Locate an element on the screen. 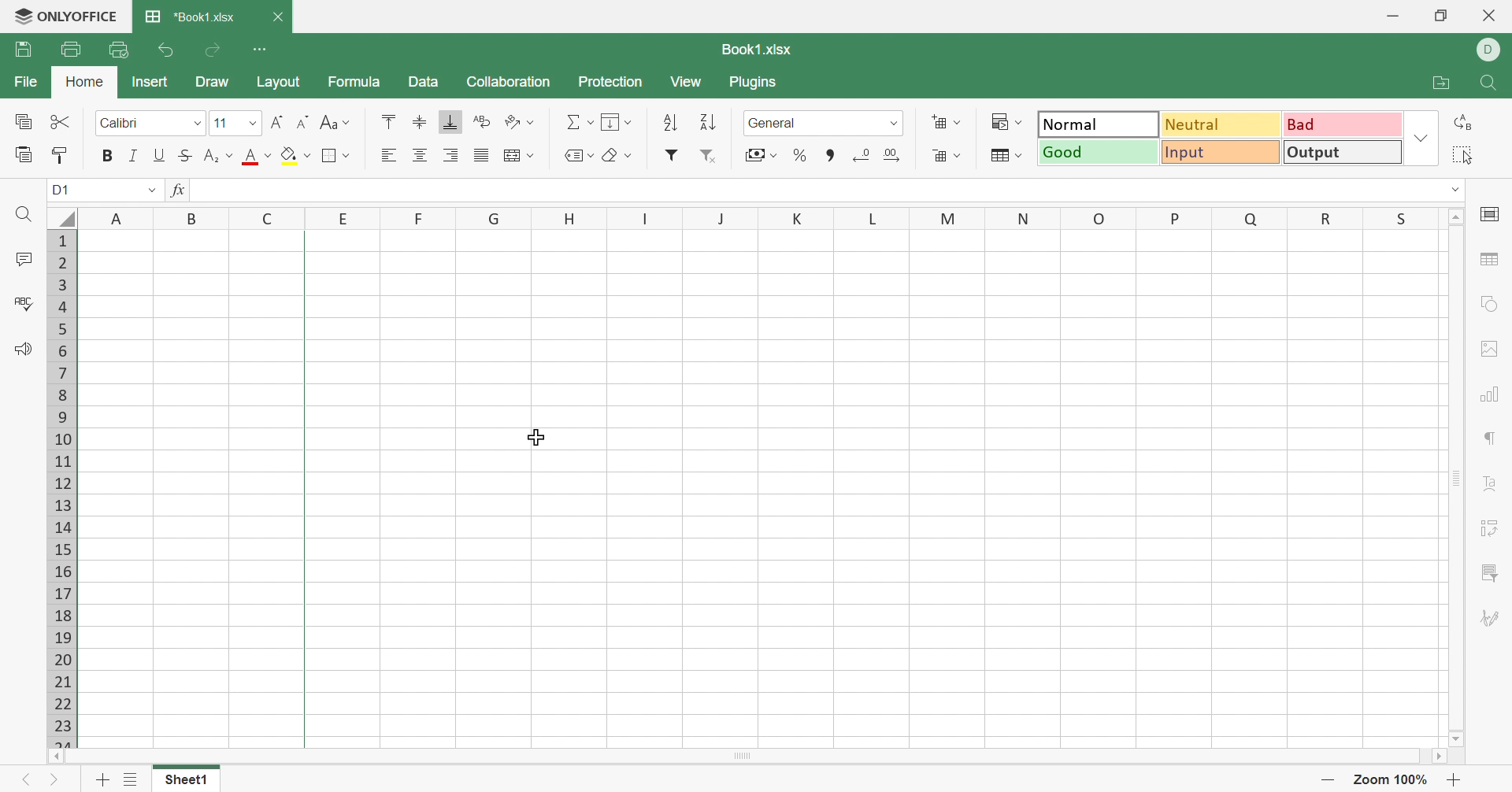  Drop Down is located at coordinates (254, 124).